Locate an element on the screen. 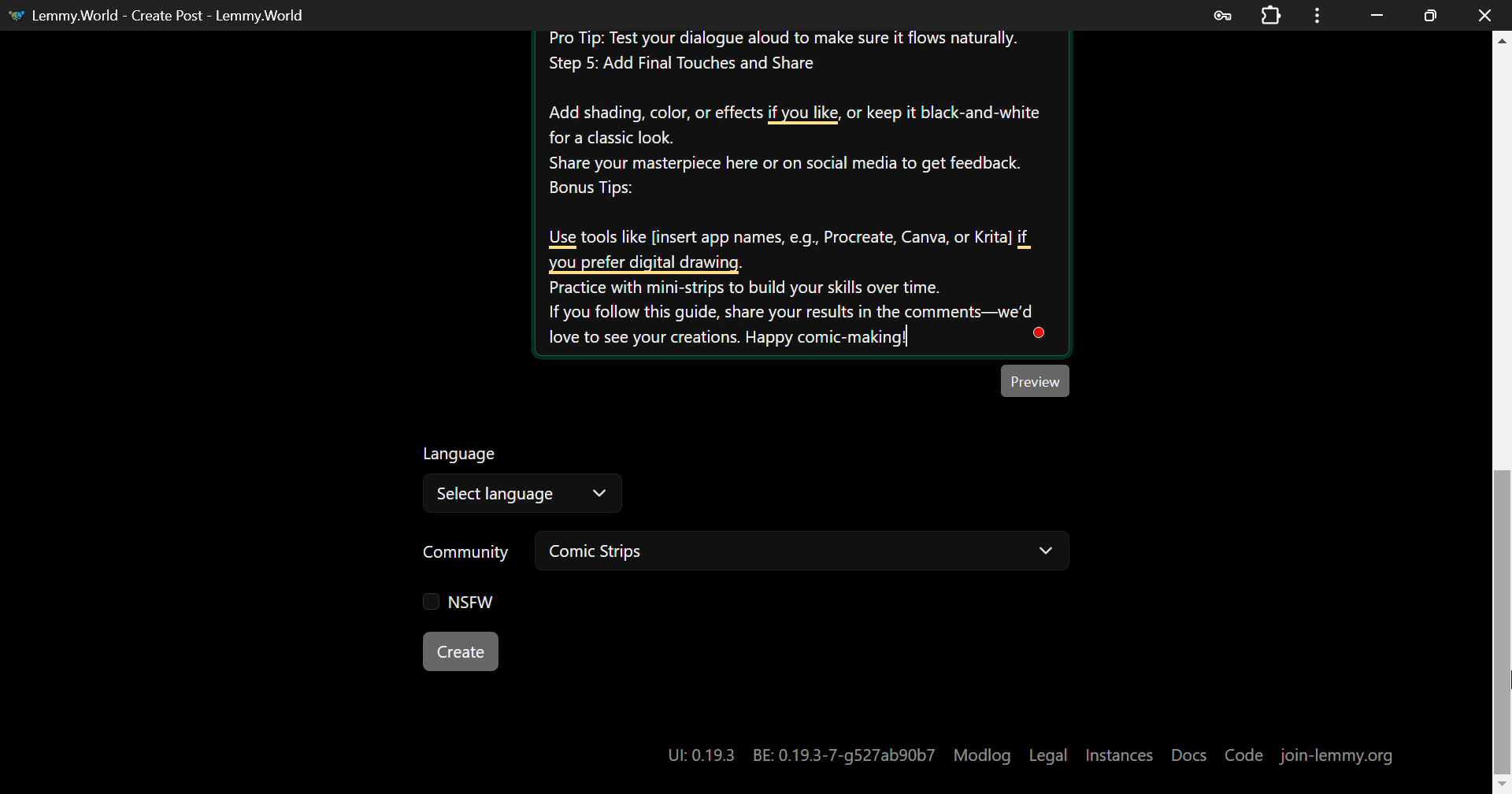  Close Window is located at coordinates (1488, 15).